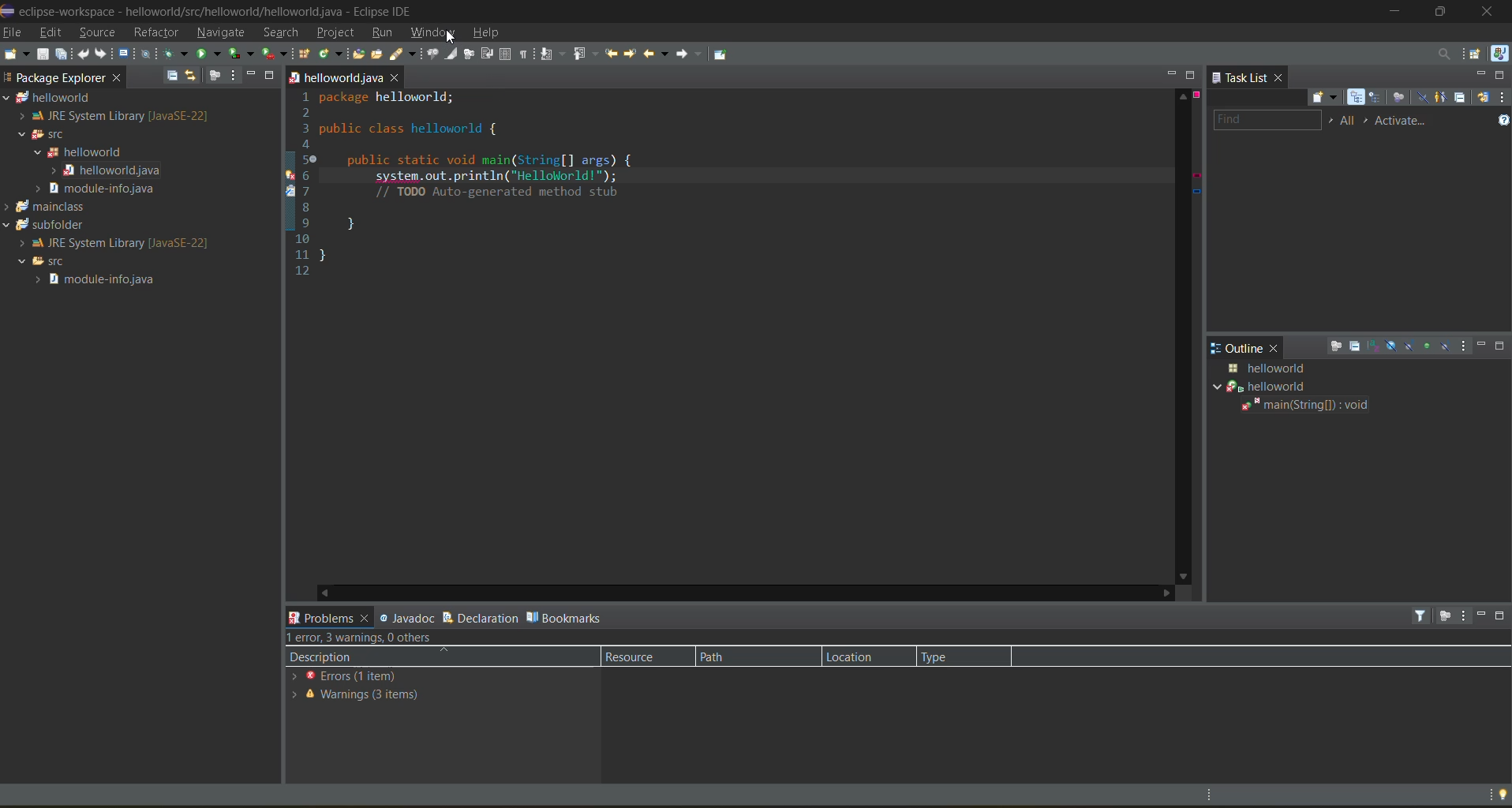  I want to click on redo, so click(102, 54).